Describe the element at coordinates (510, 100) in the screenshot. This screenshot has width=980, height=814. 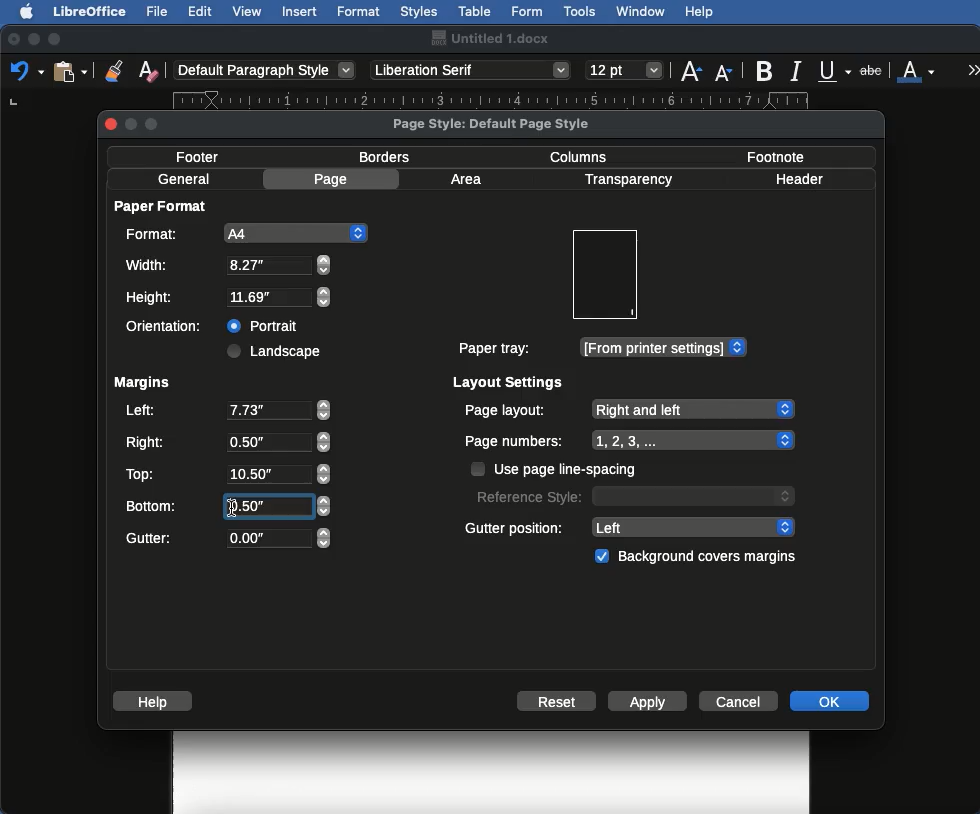
I see `Ruler` at that location.